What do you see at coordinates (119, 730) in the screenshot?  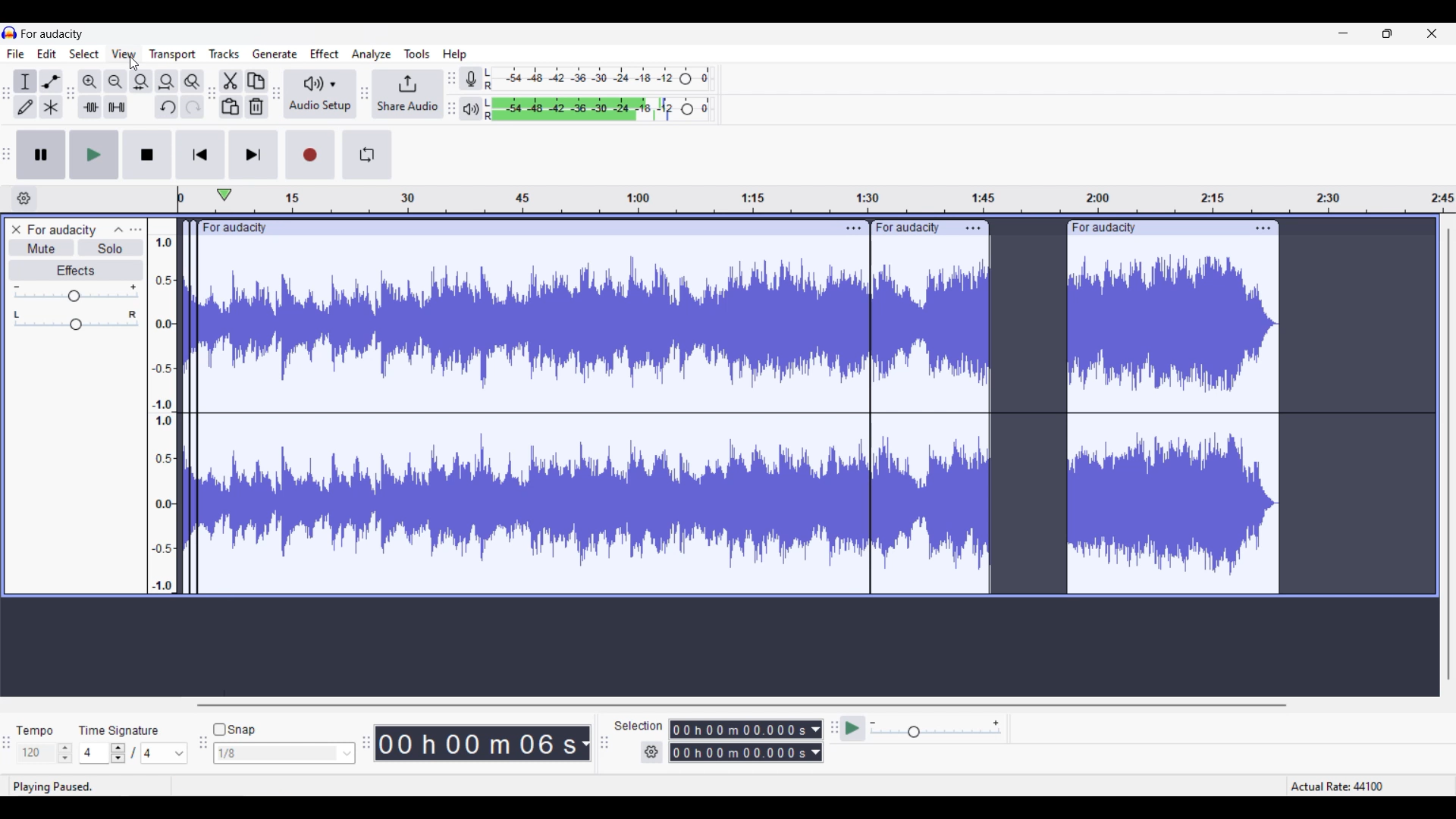 I see `time signature` at bounding box center [119, 730].